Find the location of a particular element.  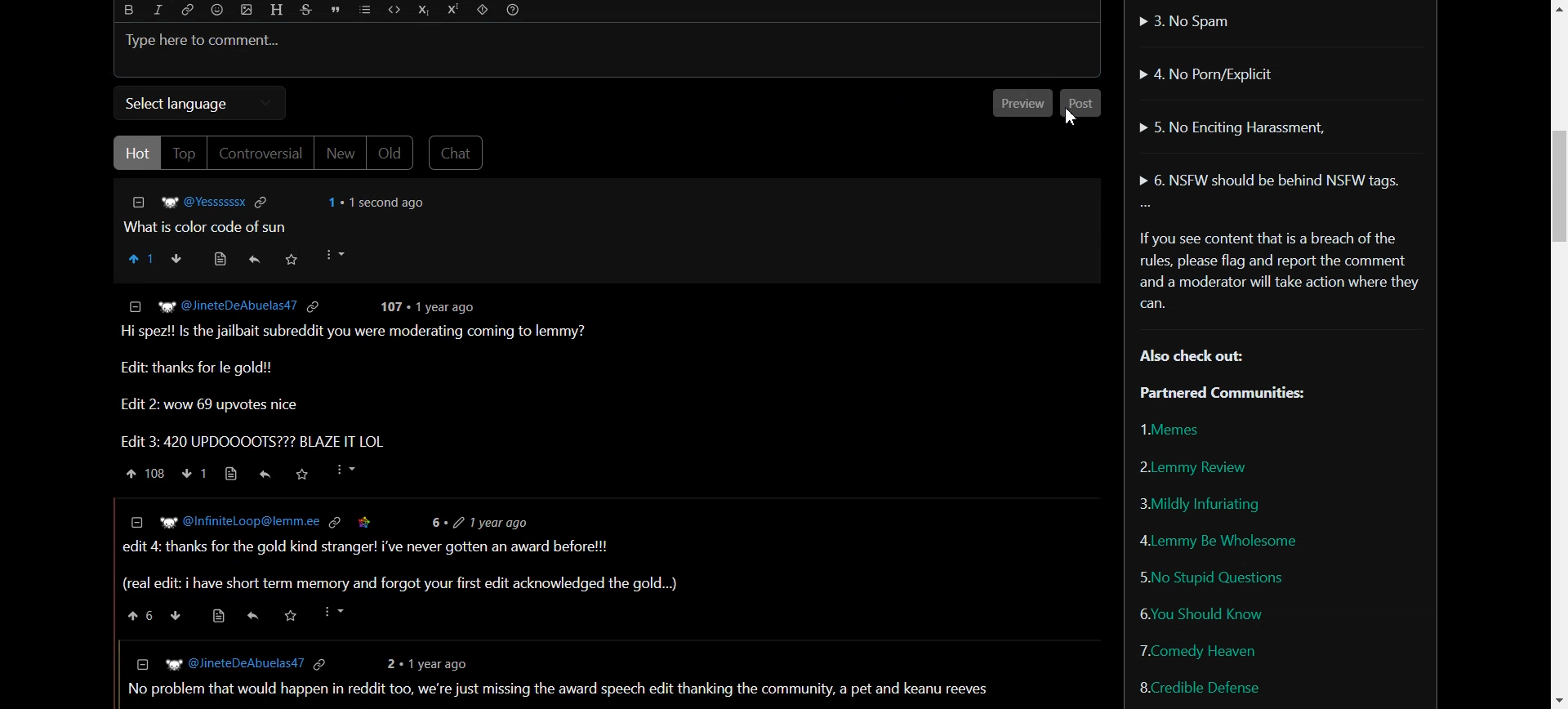

Old is located at coordinates (393, 154).